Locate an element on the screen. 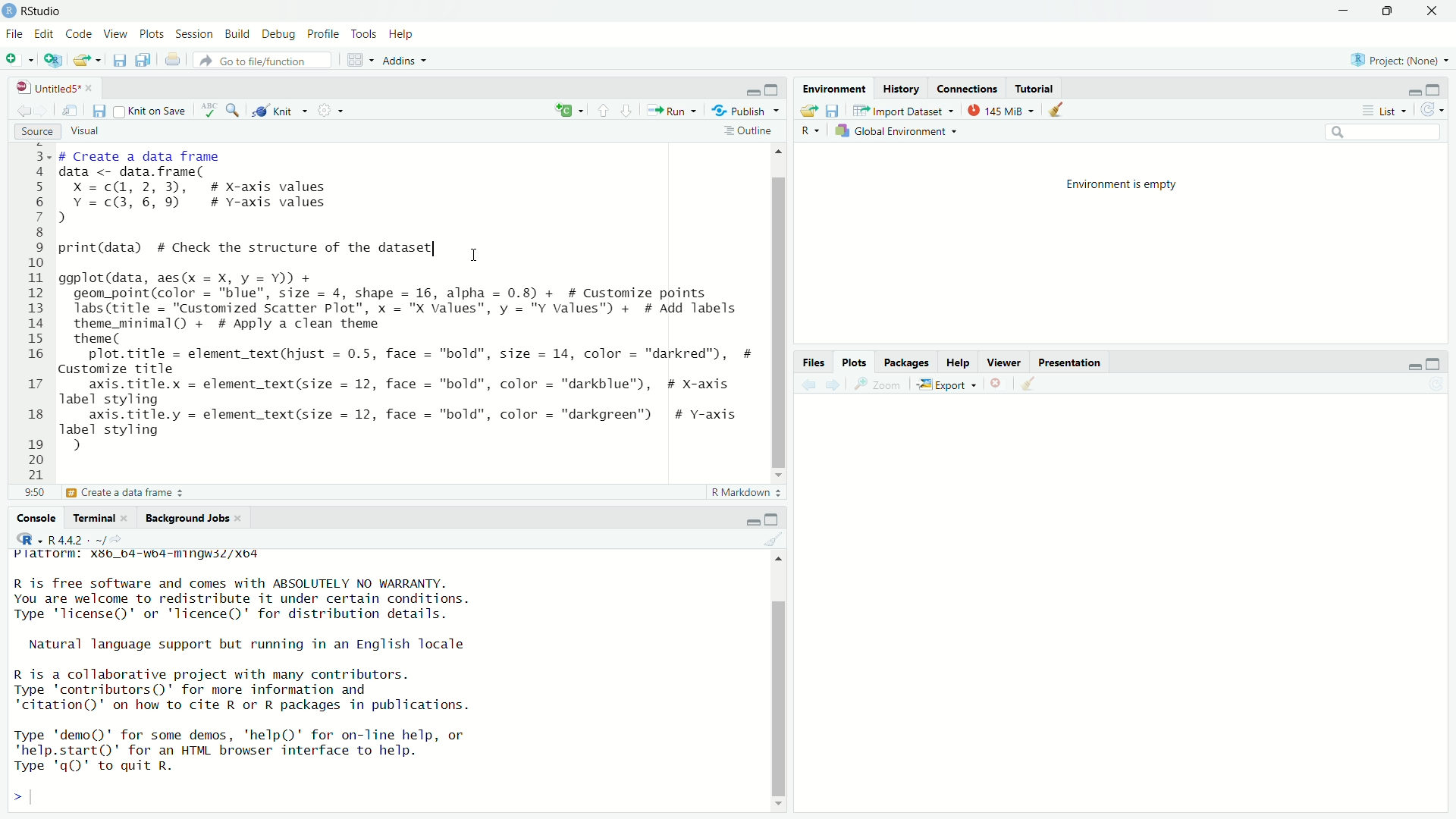 This screenshot has height=819, width=1456. Connections is located at coordinates (968, 90).